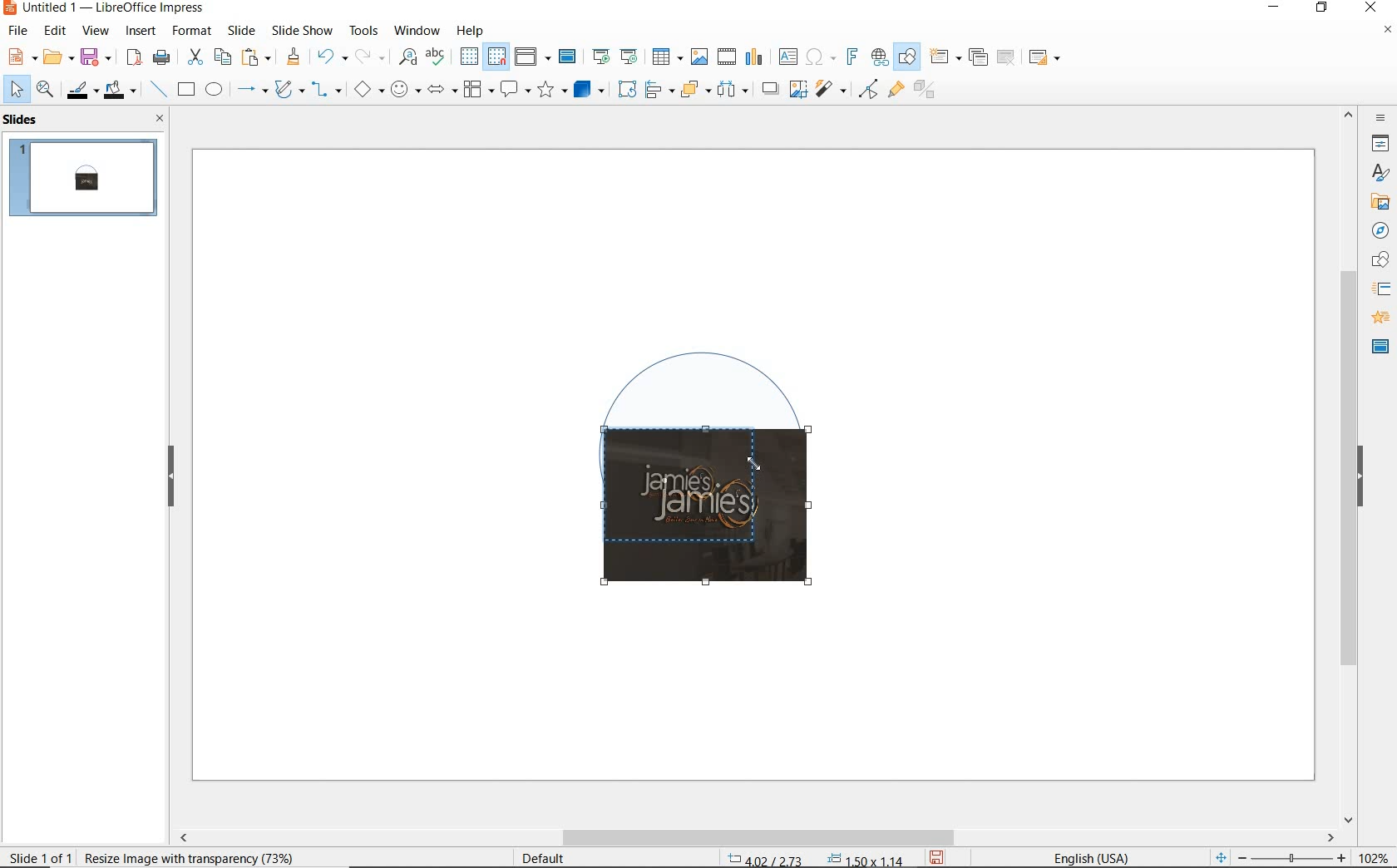  Describe the element at coordinates (978, 57) in the screenshot. I see `duplicate slide` at that location.